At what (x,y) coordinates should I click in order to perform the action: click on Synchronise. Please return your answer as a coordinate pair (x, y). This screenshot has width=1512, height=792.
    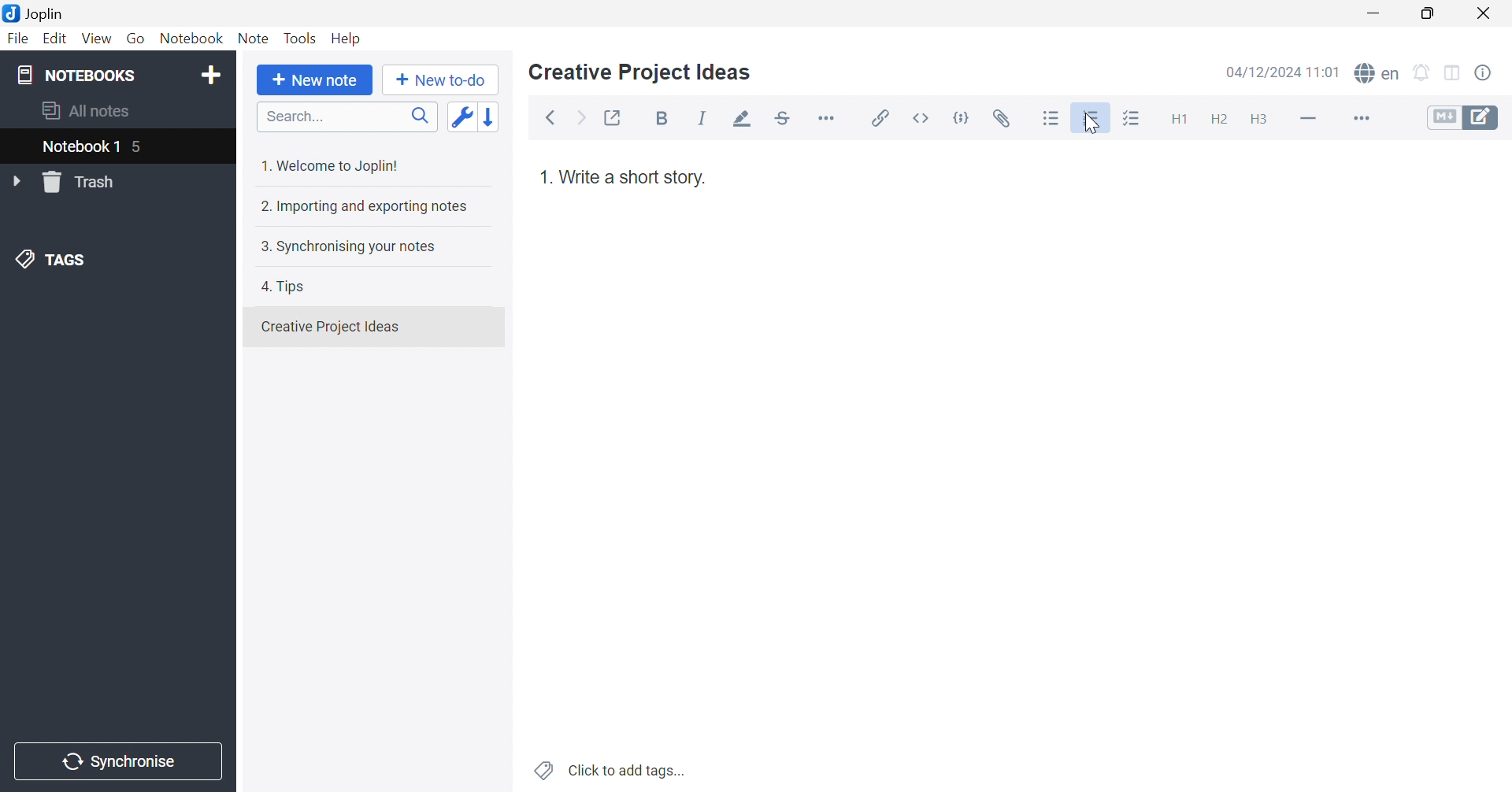
    Looking at the image, I should click on (120, 762).